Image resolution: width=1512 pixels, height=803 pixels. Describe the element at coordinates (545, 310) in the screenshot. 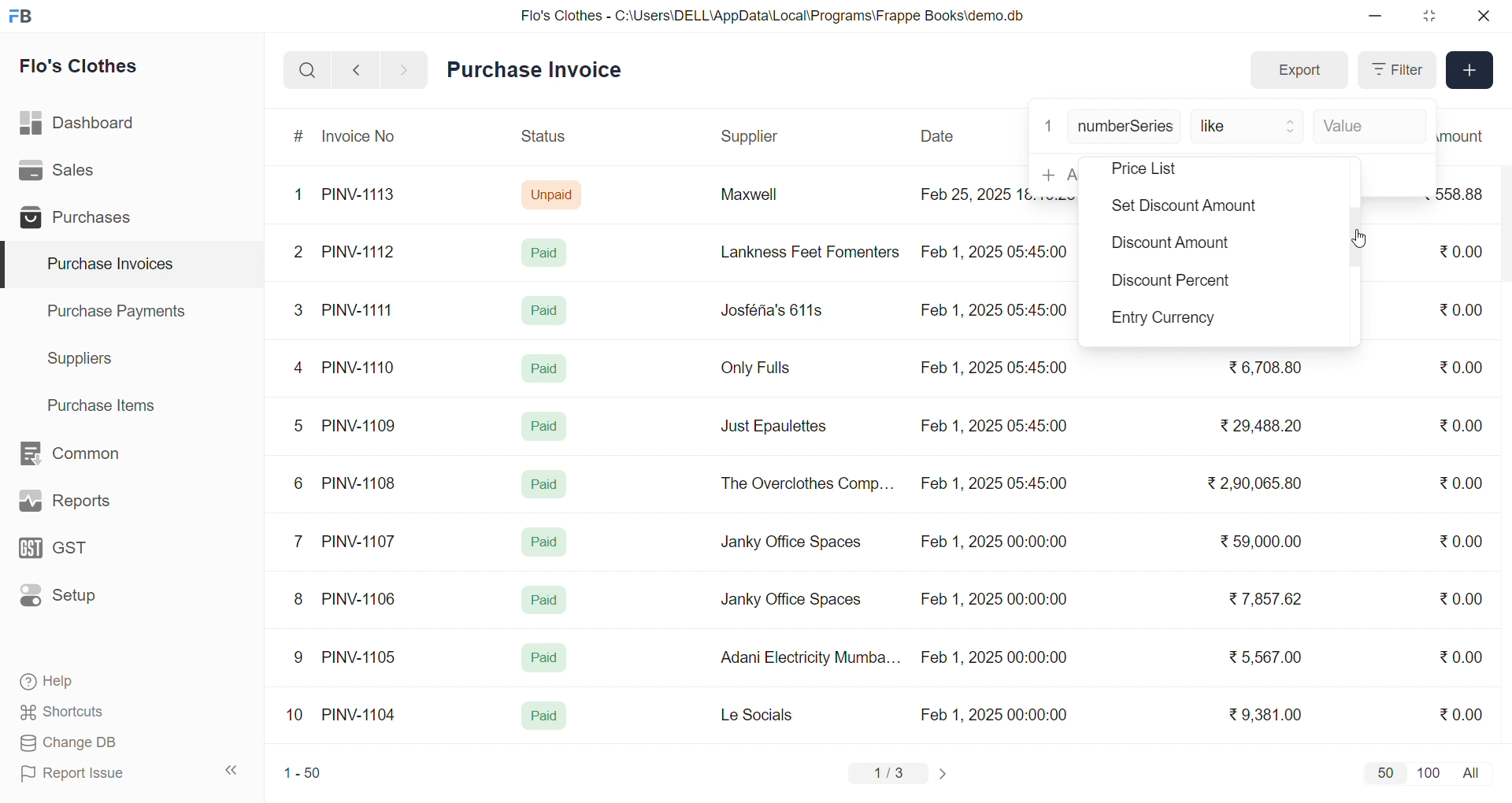

I see `Paid` at that location.